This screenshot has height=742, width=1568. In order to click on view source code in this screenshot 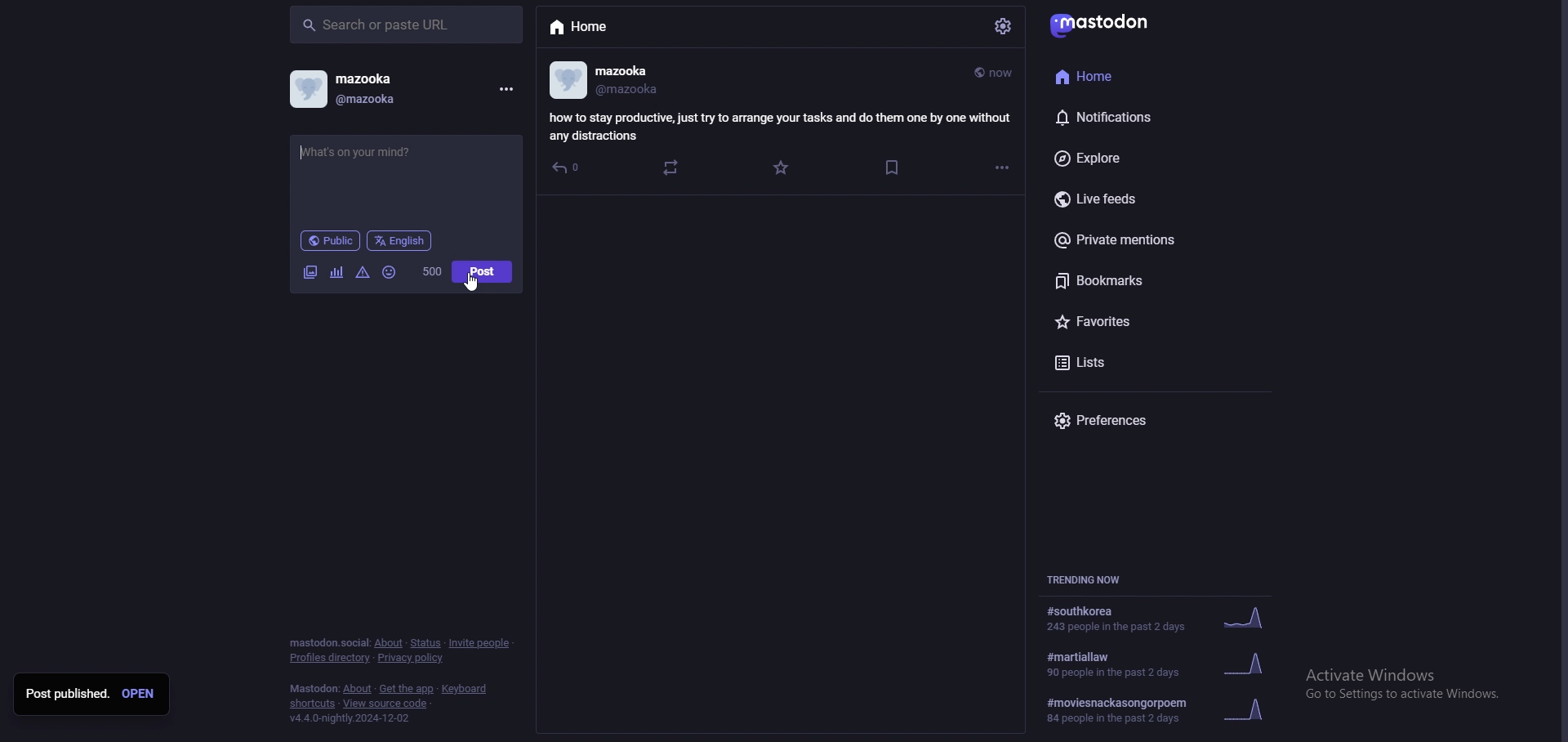, I will do `click(387, 704)`.